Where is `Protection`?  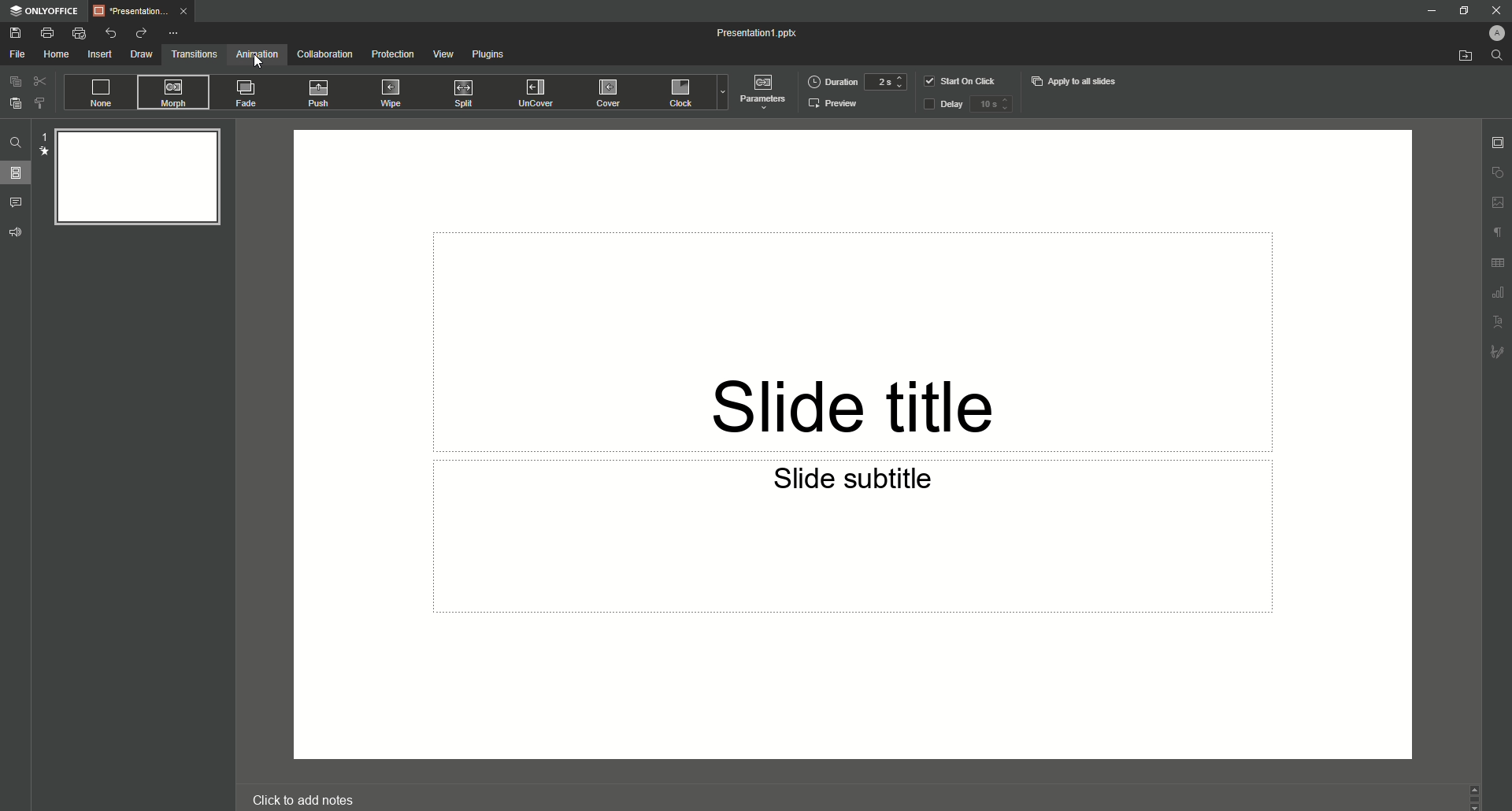
Protection is located at coordinates (392, 56).